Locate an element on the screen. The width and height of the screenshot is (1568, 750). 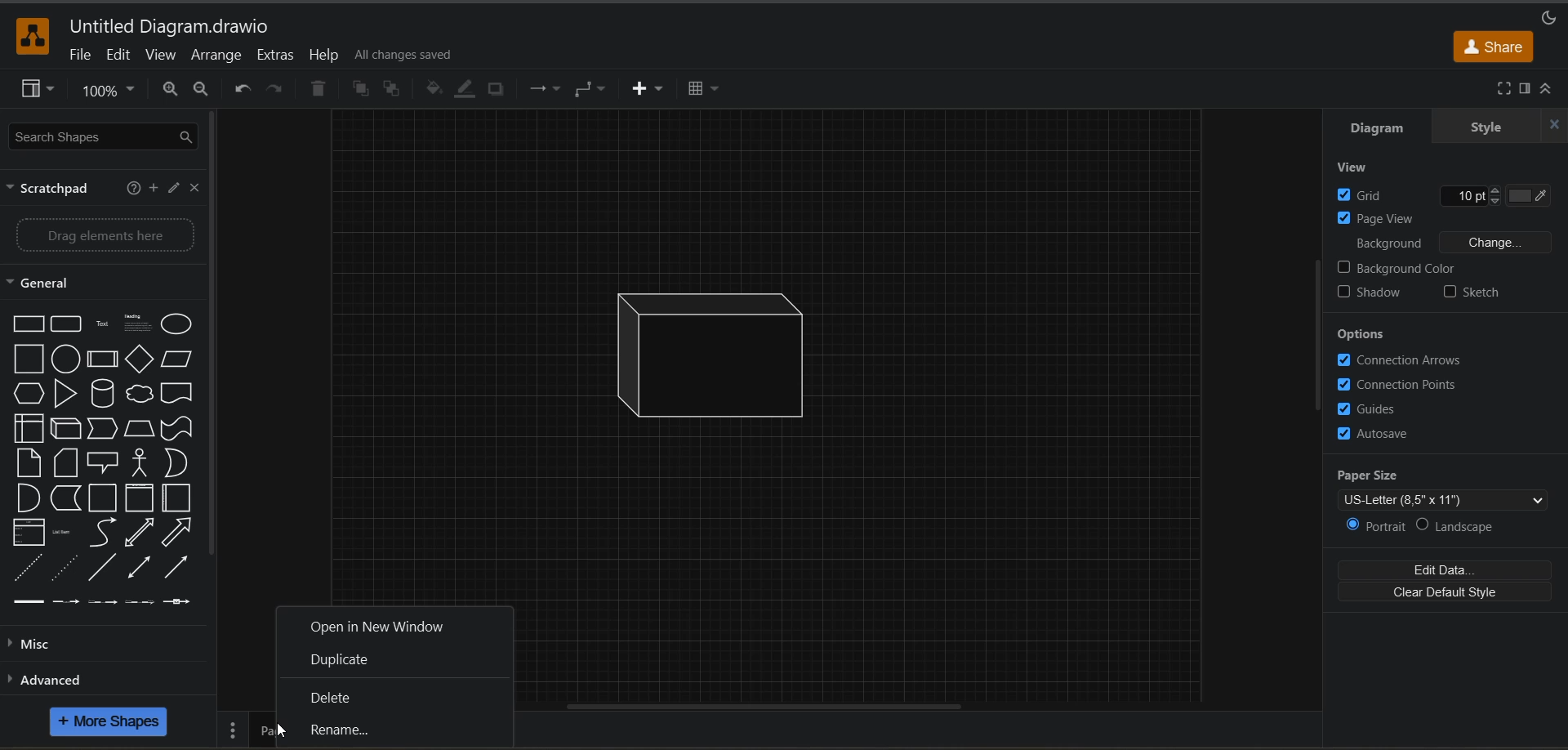
fullscreen is located at coordinates (1504, 89).